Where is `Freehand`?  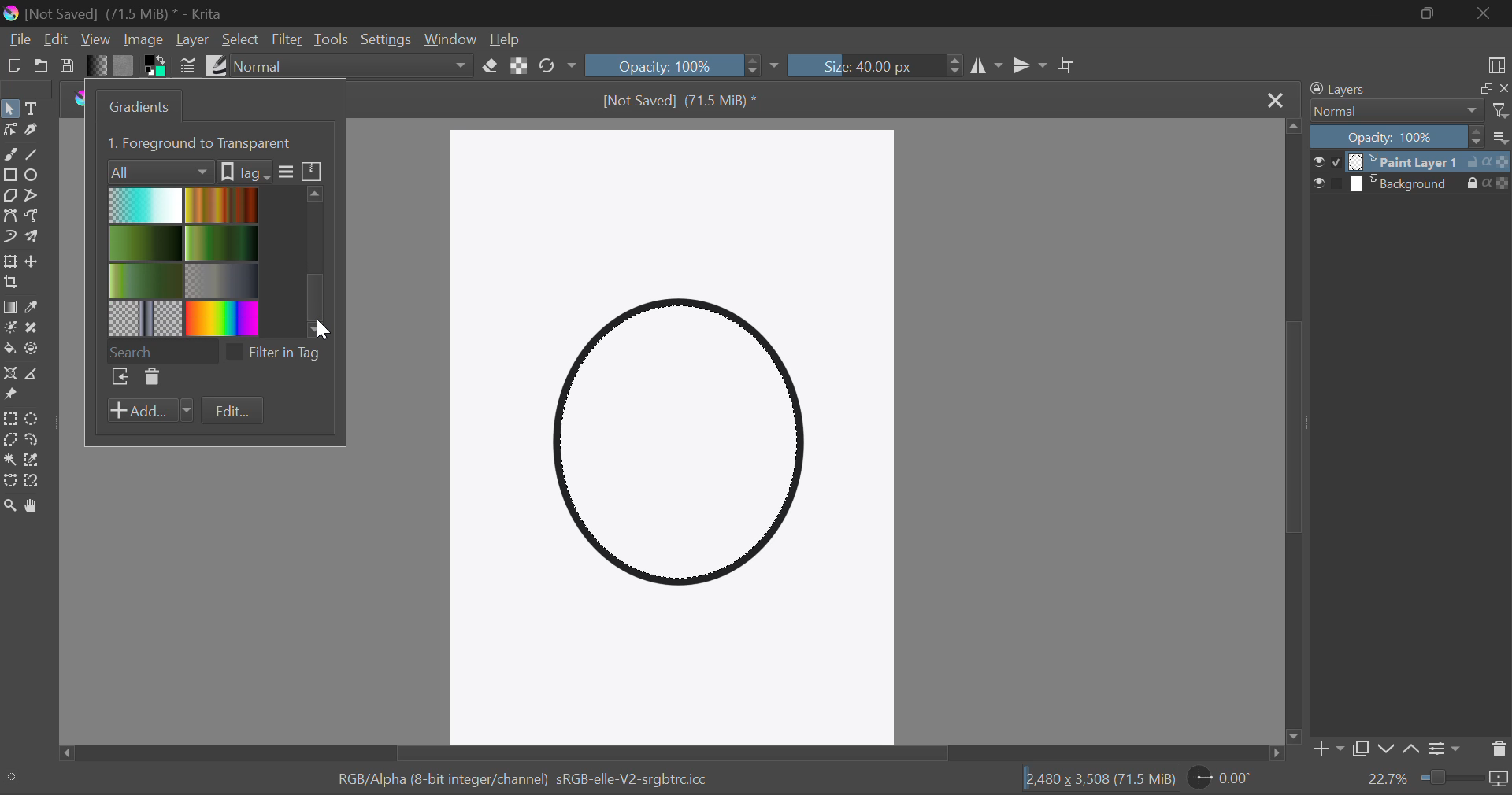 Freehand is located at coordinates (9, 155).